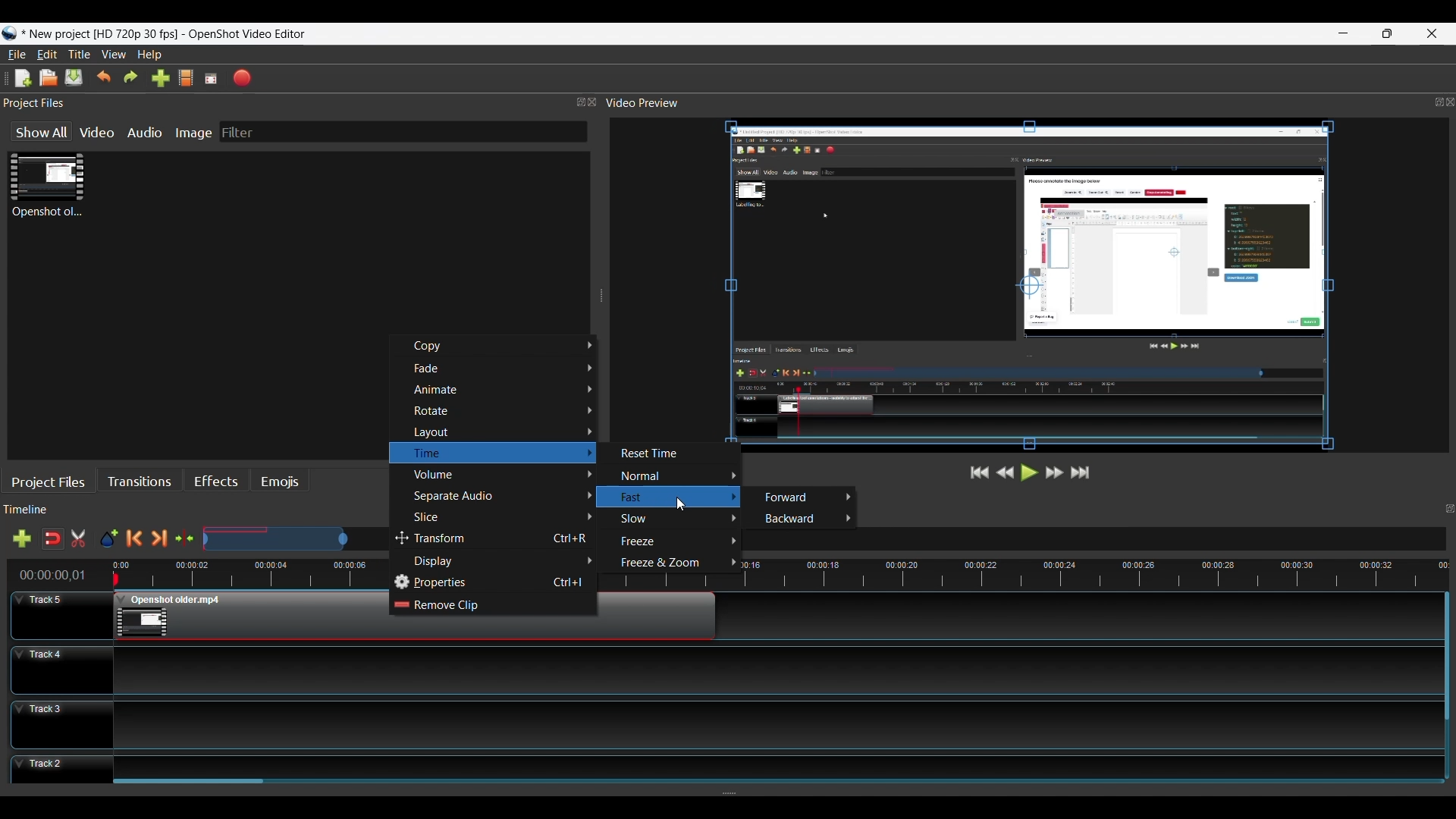  What do you see at coordinates (243, 78) in the screenshot?
I see `Export Video` at bounding box center [243, 78].